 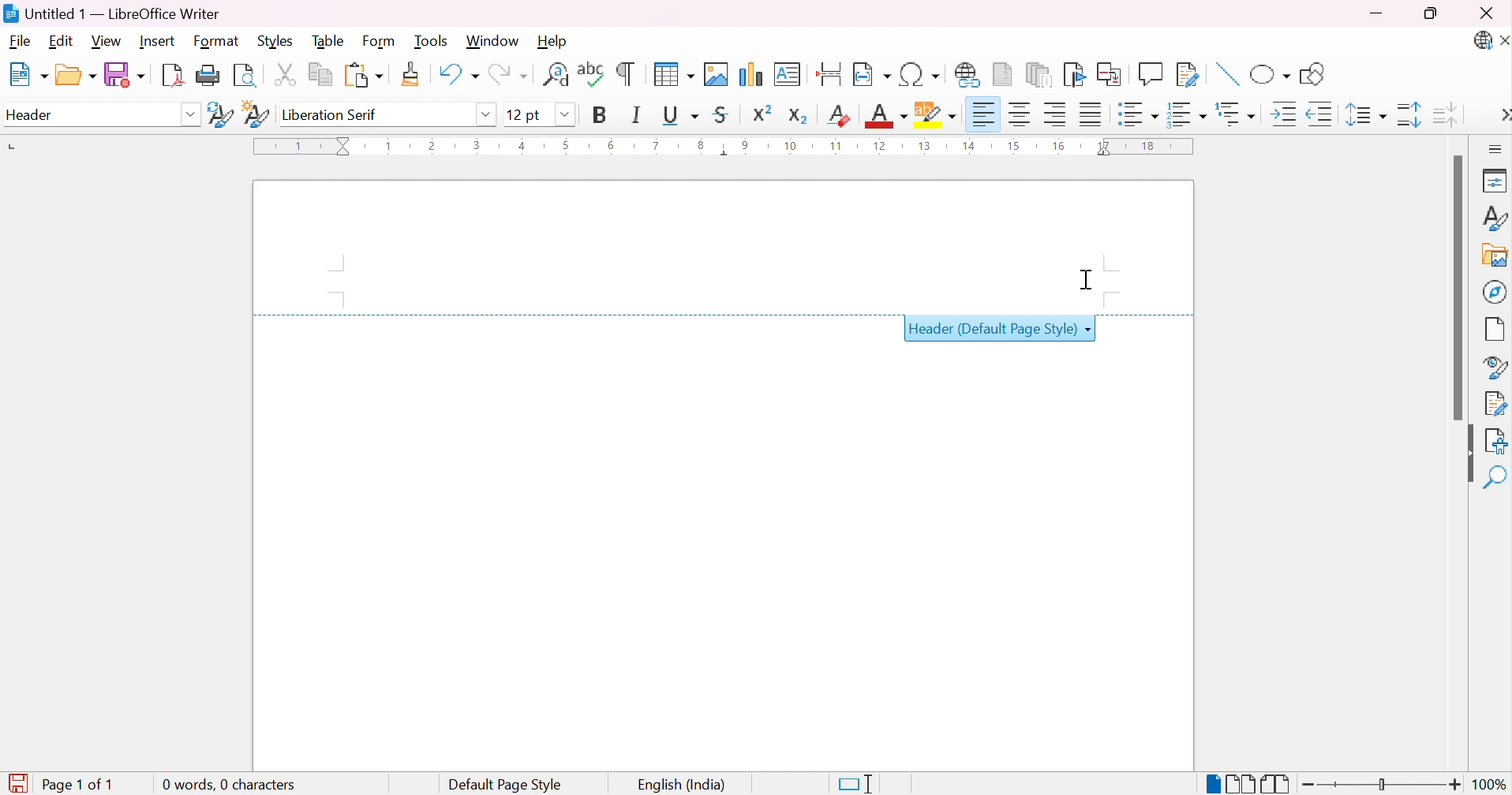 What do you see at coordinates (1503, 40) in the screenshot?
I see `Close` at bounding box center [1503, 40].